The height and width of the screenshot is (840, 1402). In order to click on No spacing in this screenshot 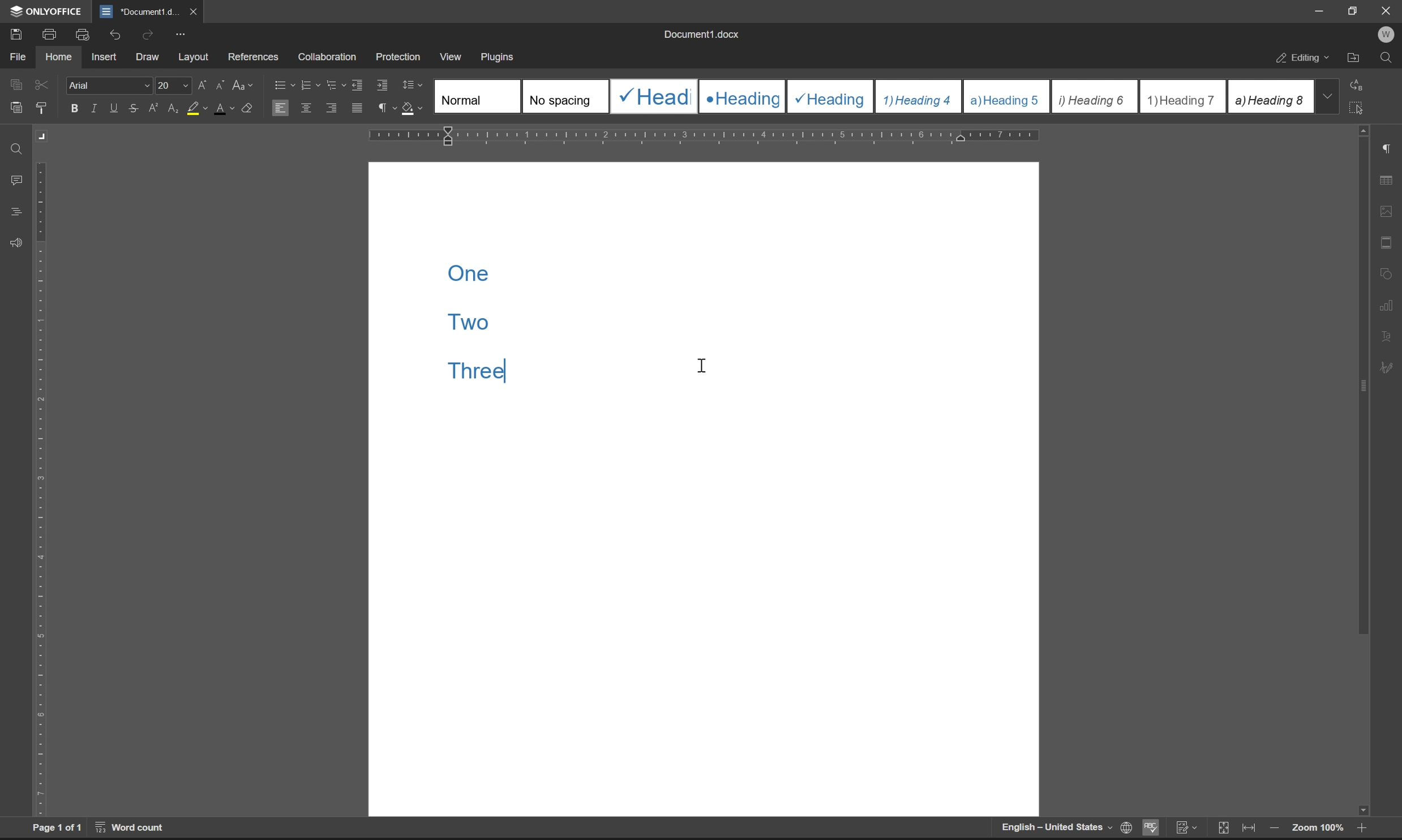, I will do `click(564, 96)`.